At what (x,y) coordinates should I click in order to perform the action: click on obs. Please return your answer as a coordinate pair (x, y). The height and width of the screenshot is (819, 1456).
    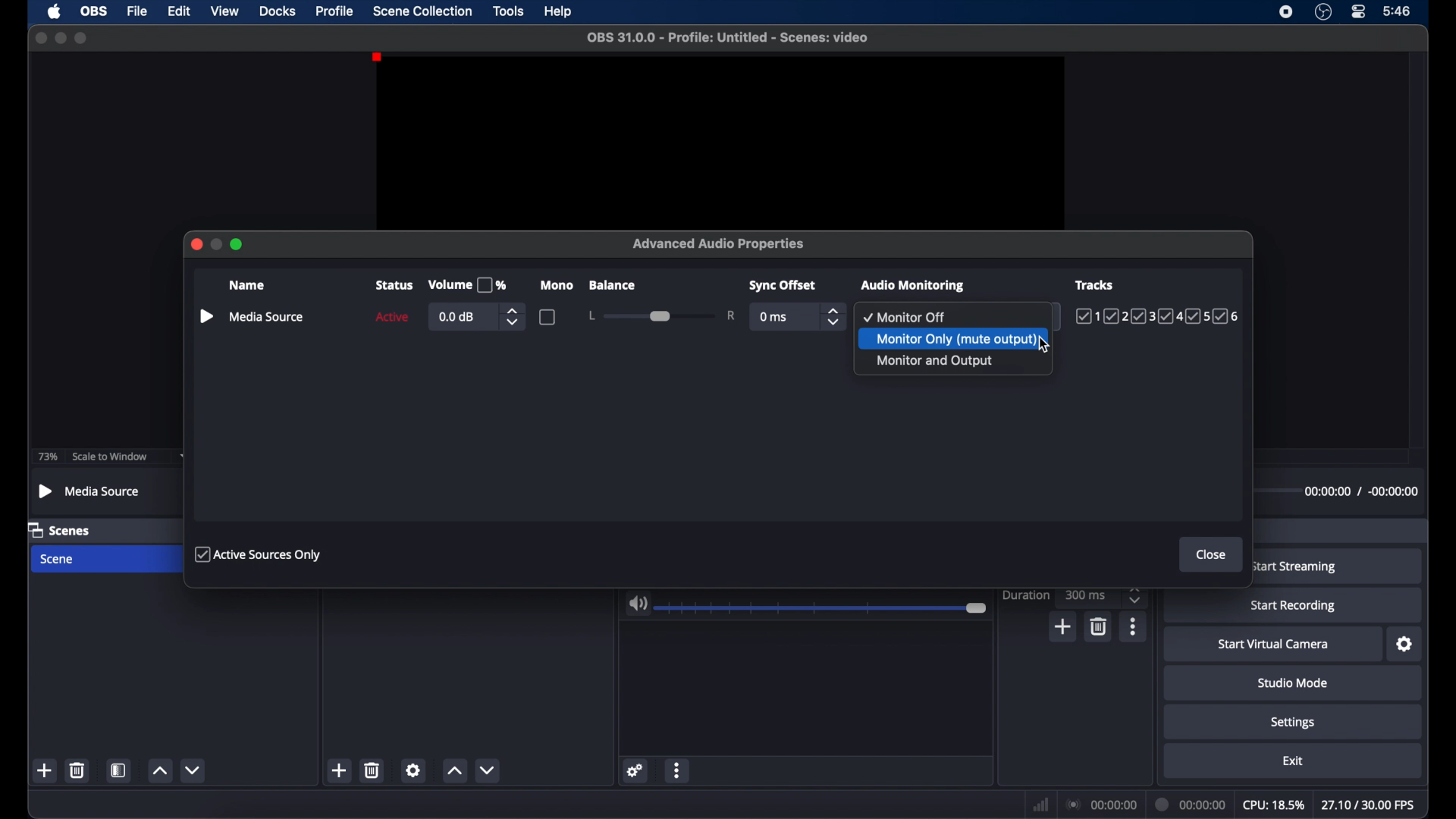
    Looking at the image, I should click on (93, 11).